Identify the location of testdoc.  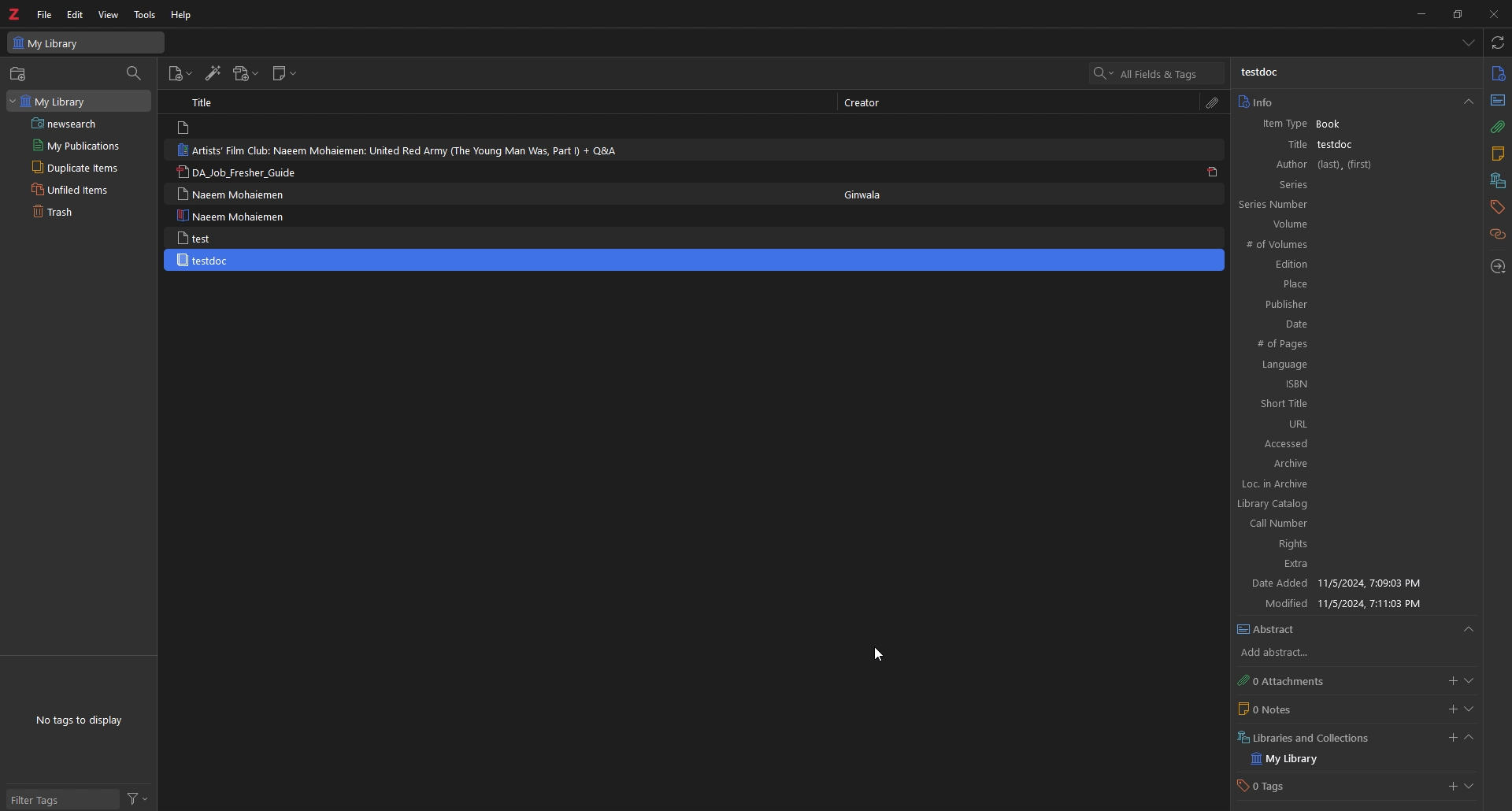
(205, 261).